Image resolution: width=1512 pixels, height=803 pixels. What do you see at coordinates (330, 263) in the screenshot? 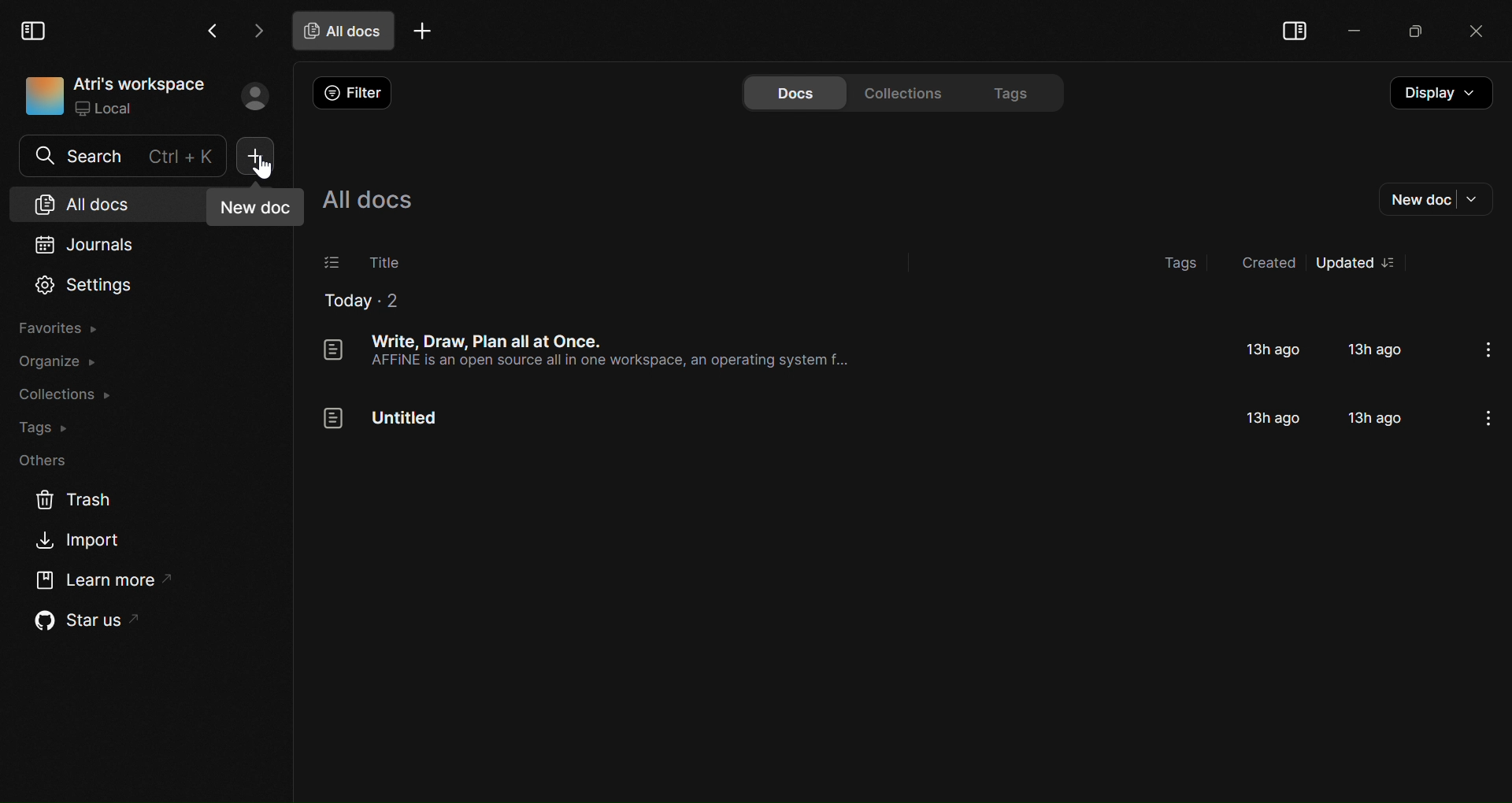
I see `Select documents` at bounding box center [330, 263].